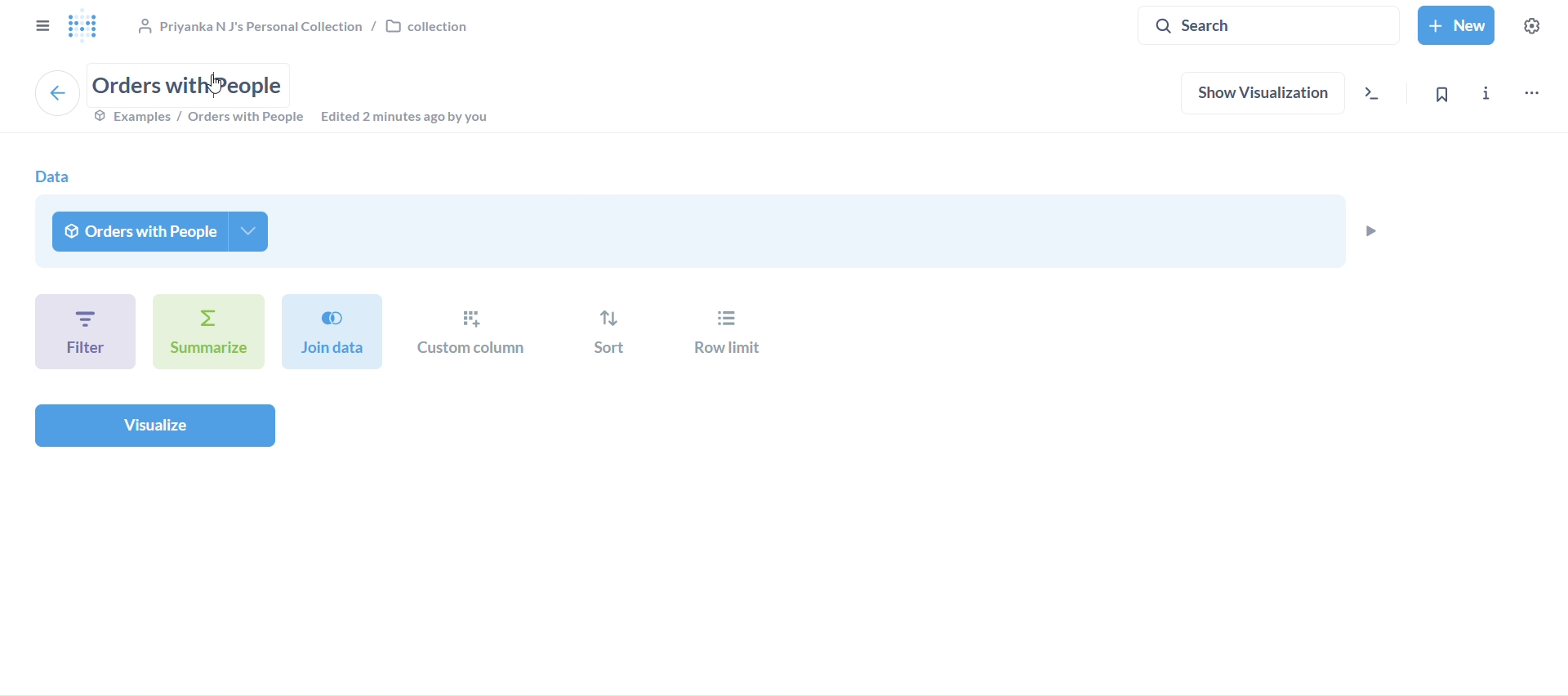 This screenshot has height=696, width=1568. I want to click on bookmark , so click(1450, 94).